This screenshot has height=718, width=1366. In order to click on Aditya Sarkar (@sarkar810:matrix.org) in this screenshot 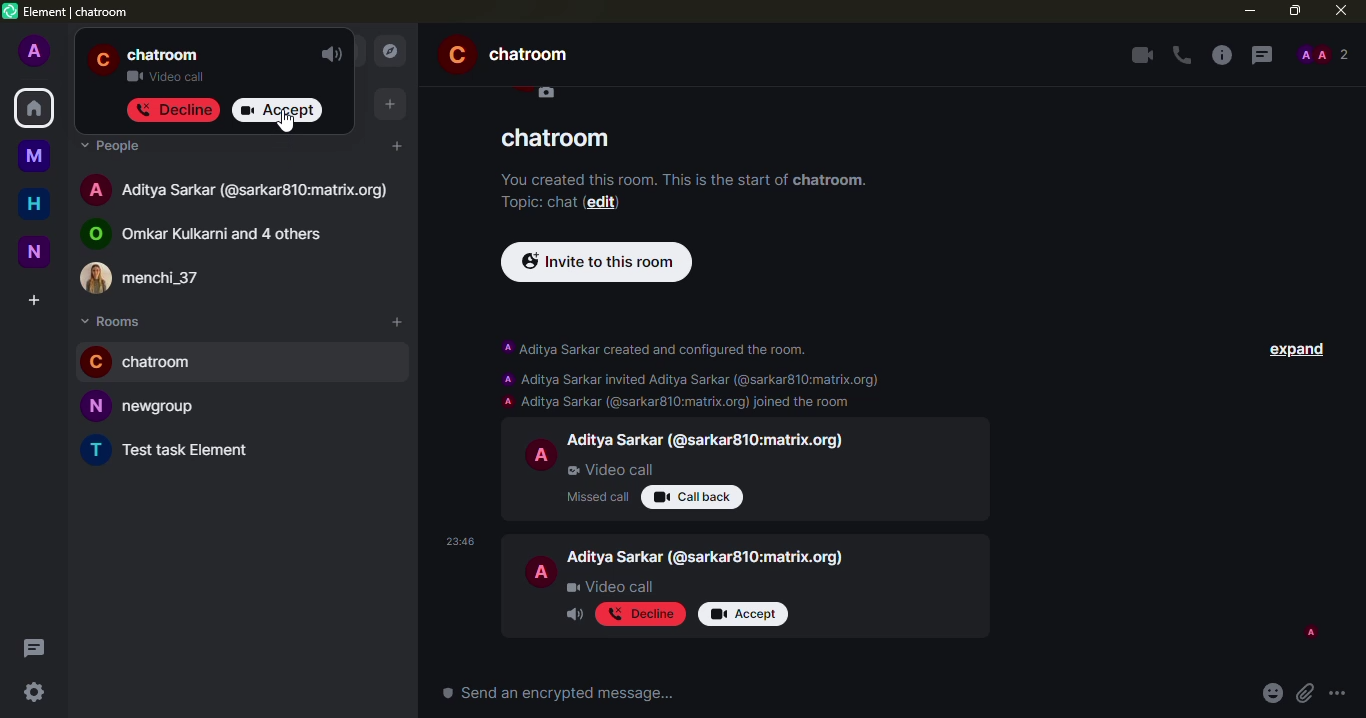, I will do `click(240, 191)`.